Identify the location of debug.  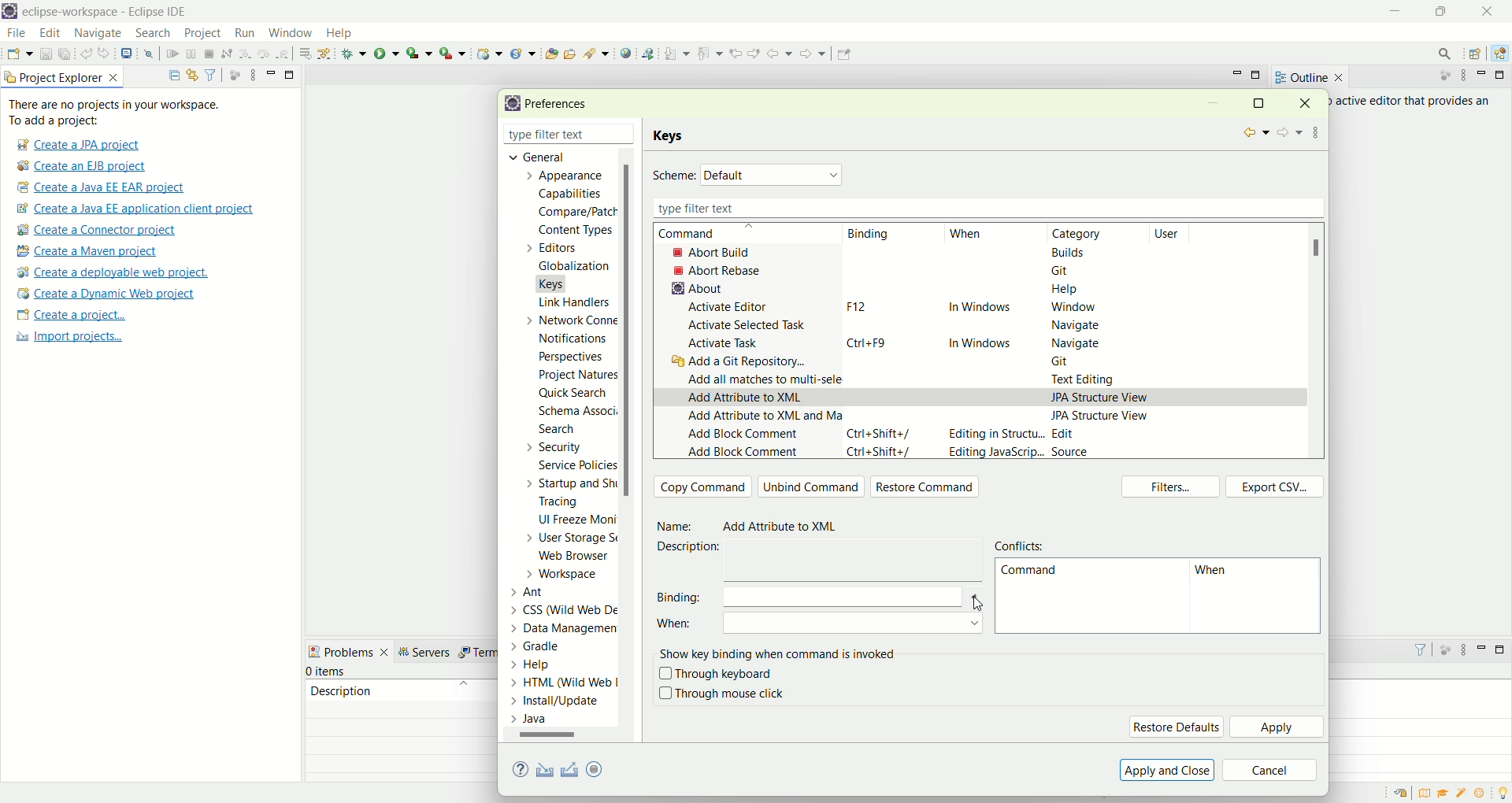
(354, 54).